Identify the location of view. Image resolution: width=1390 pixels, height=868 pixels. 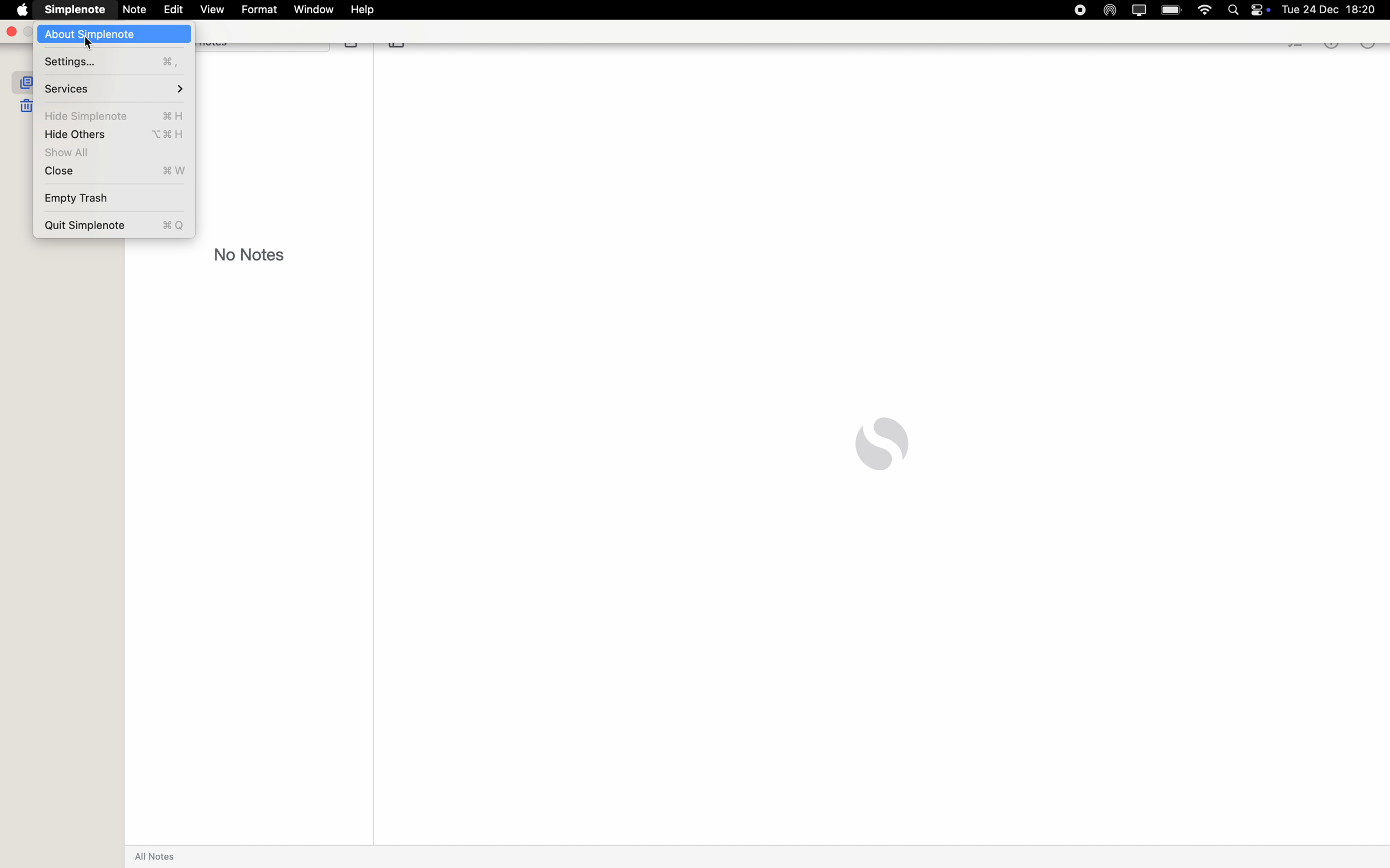
(213, 10).